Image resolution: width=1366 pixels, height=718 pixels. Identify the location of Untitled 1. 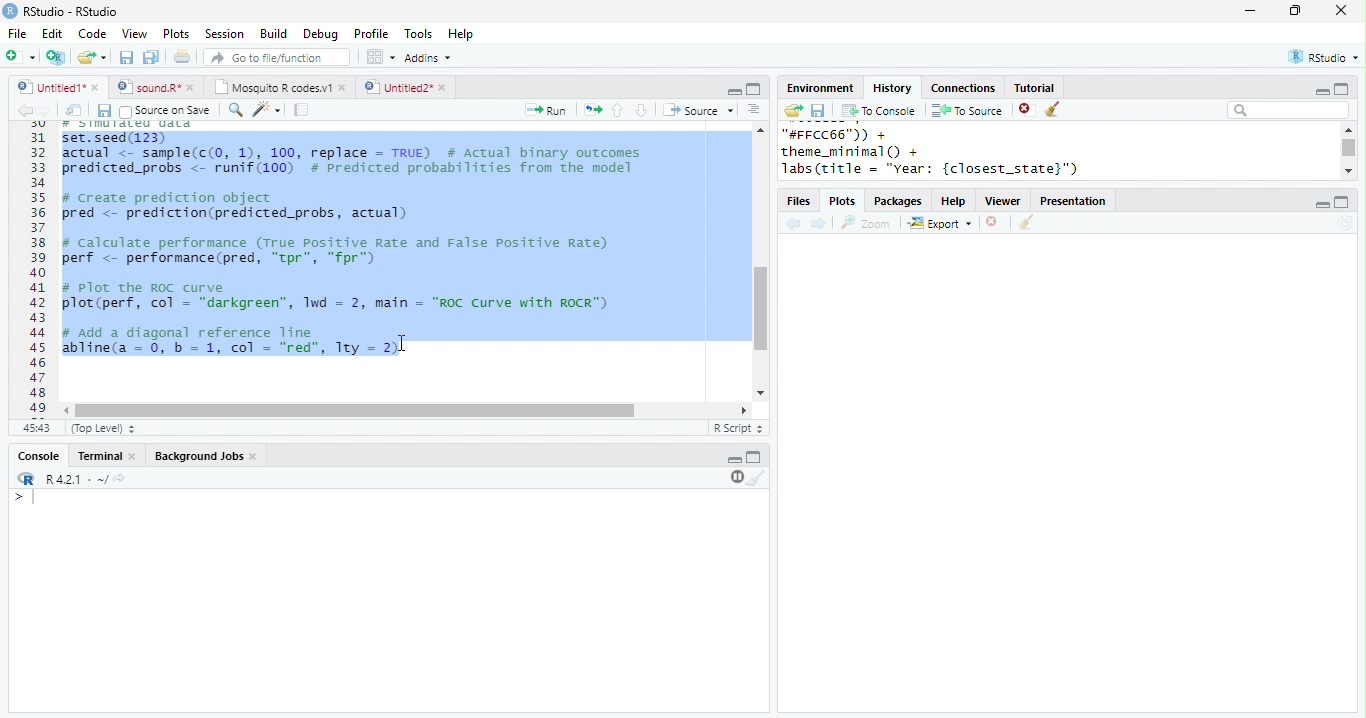
(48, 86).